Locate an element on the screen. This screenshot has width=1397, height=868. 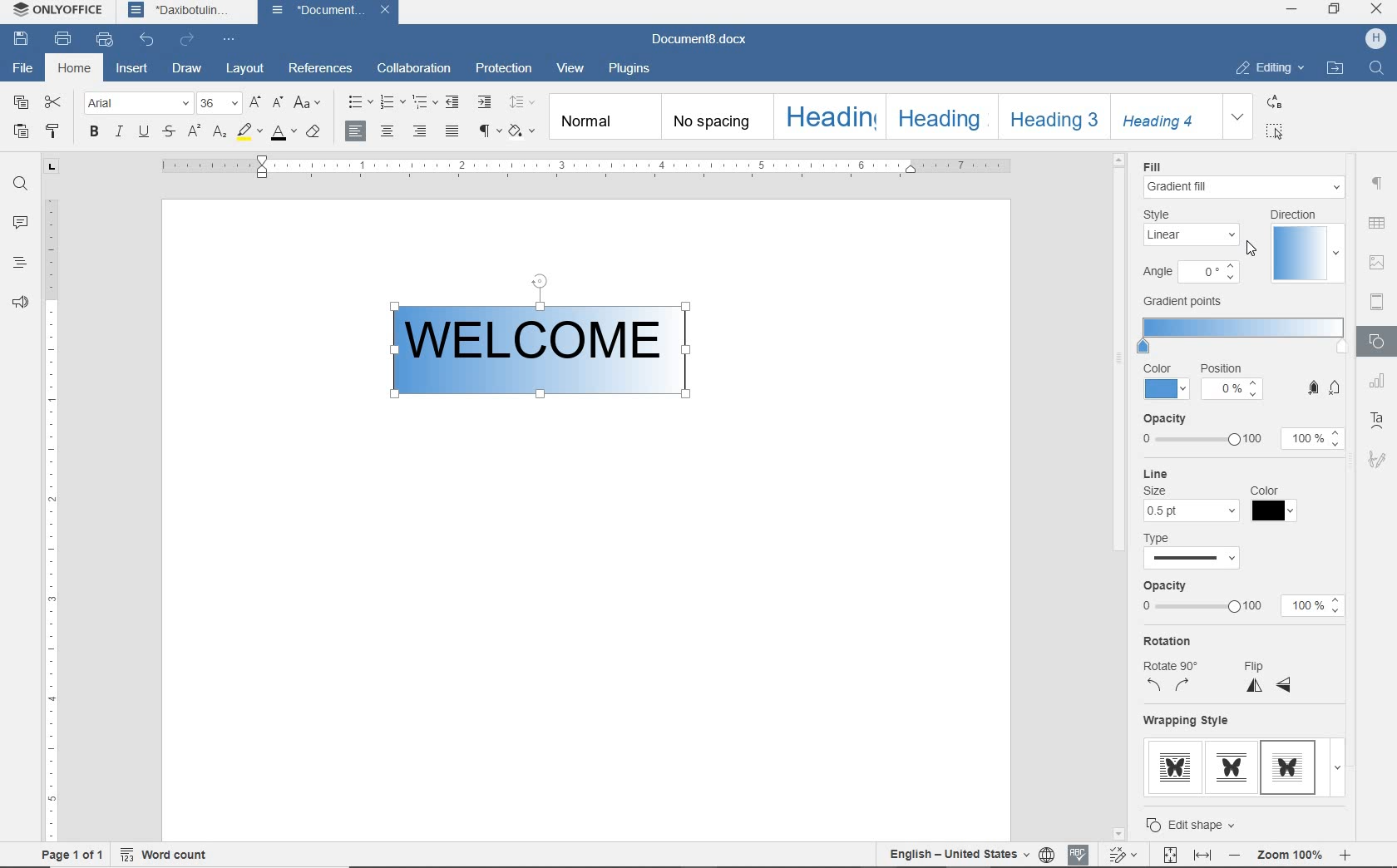
HEADING is located at coordinates (833, 115).